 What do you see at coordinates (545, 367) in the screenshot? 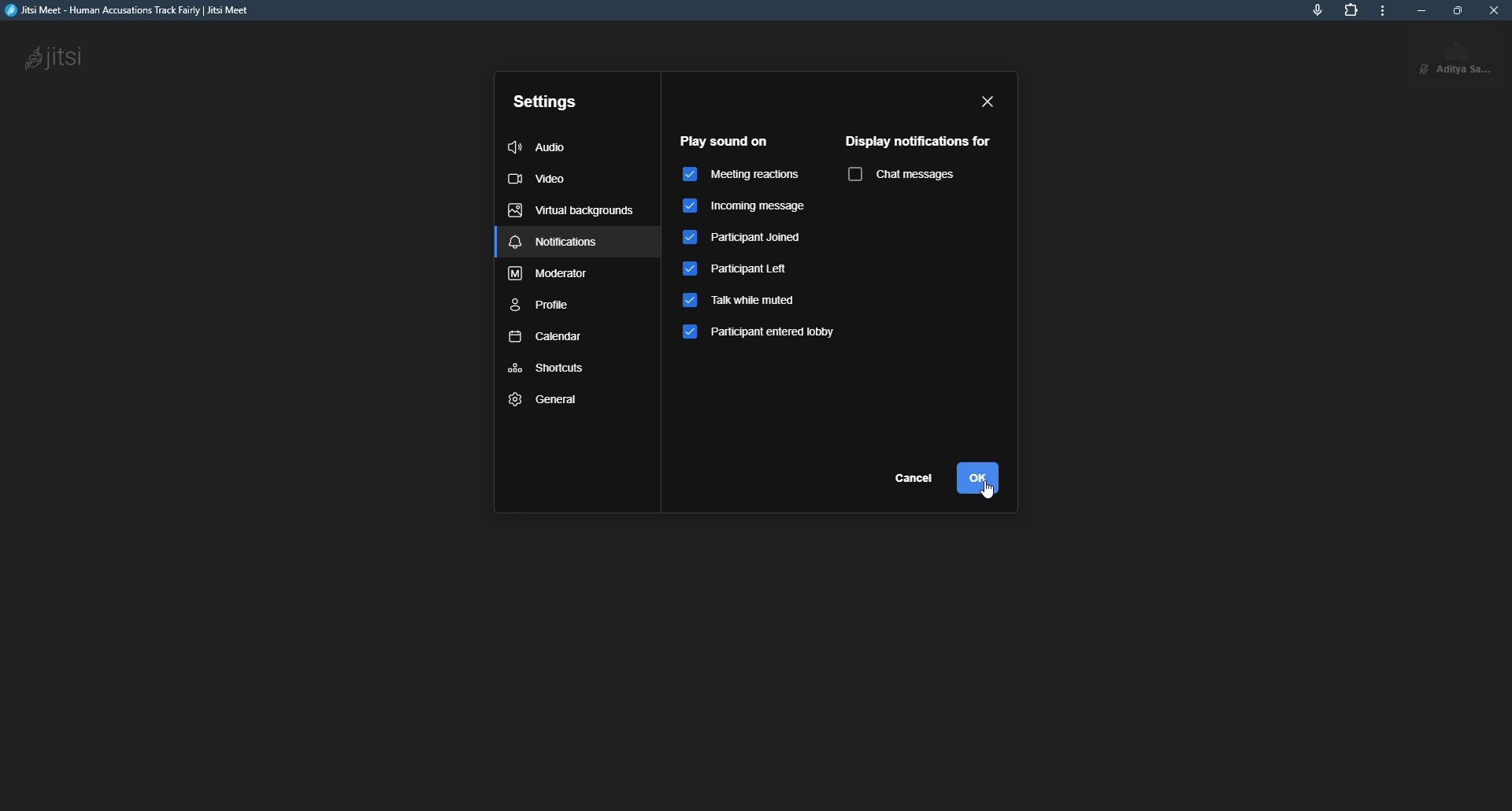
I see `shortcuts` at bounding box center [545, 367].